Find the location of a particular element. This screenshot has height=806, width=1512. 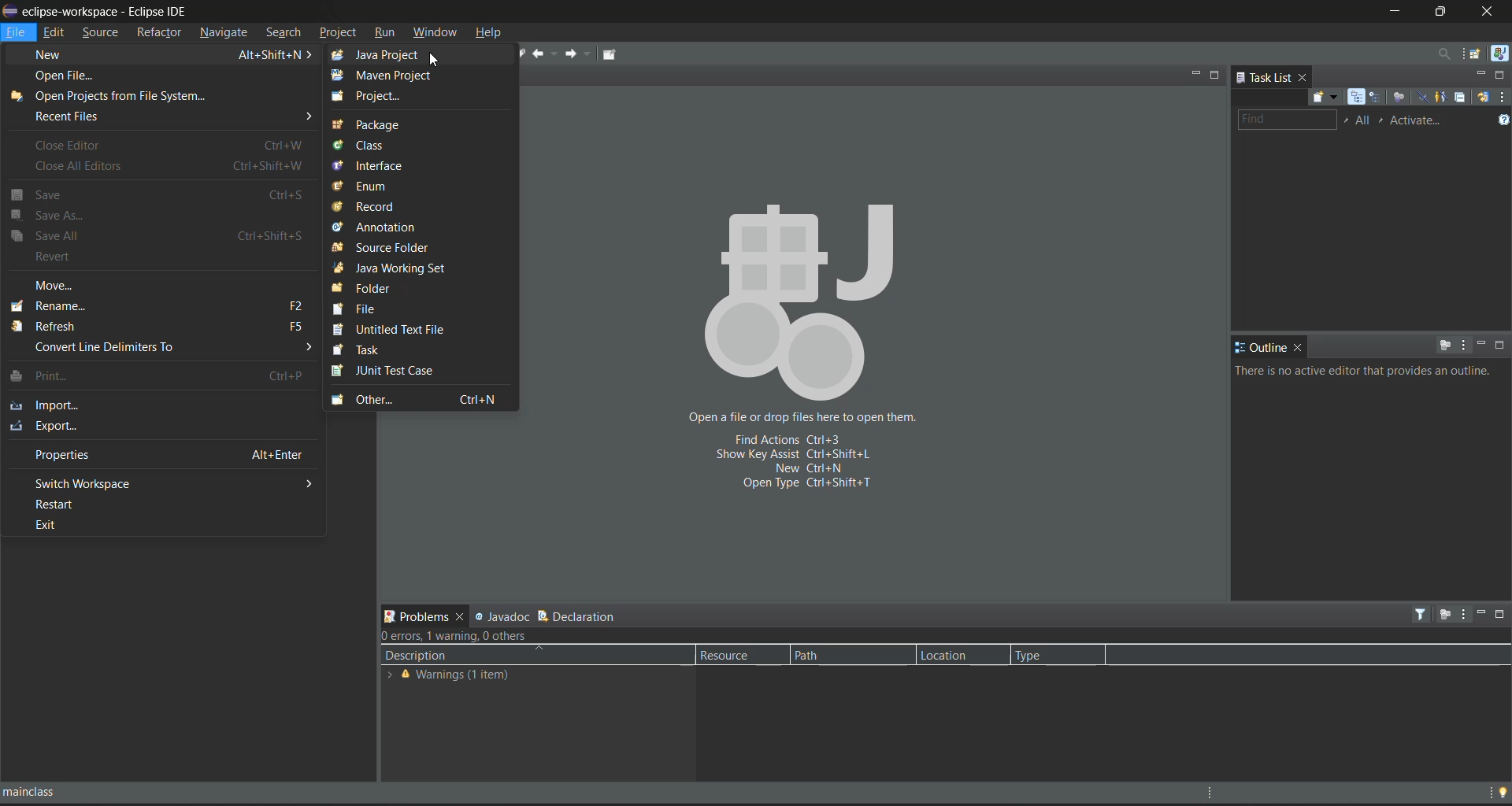

eclipse-workspace - Eclipse IDE is located at coordinates (98, 9).